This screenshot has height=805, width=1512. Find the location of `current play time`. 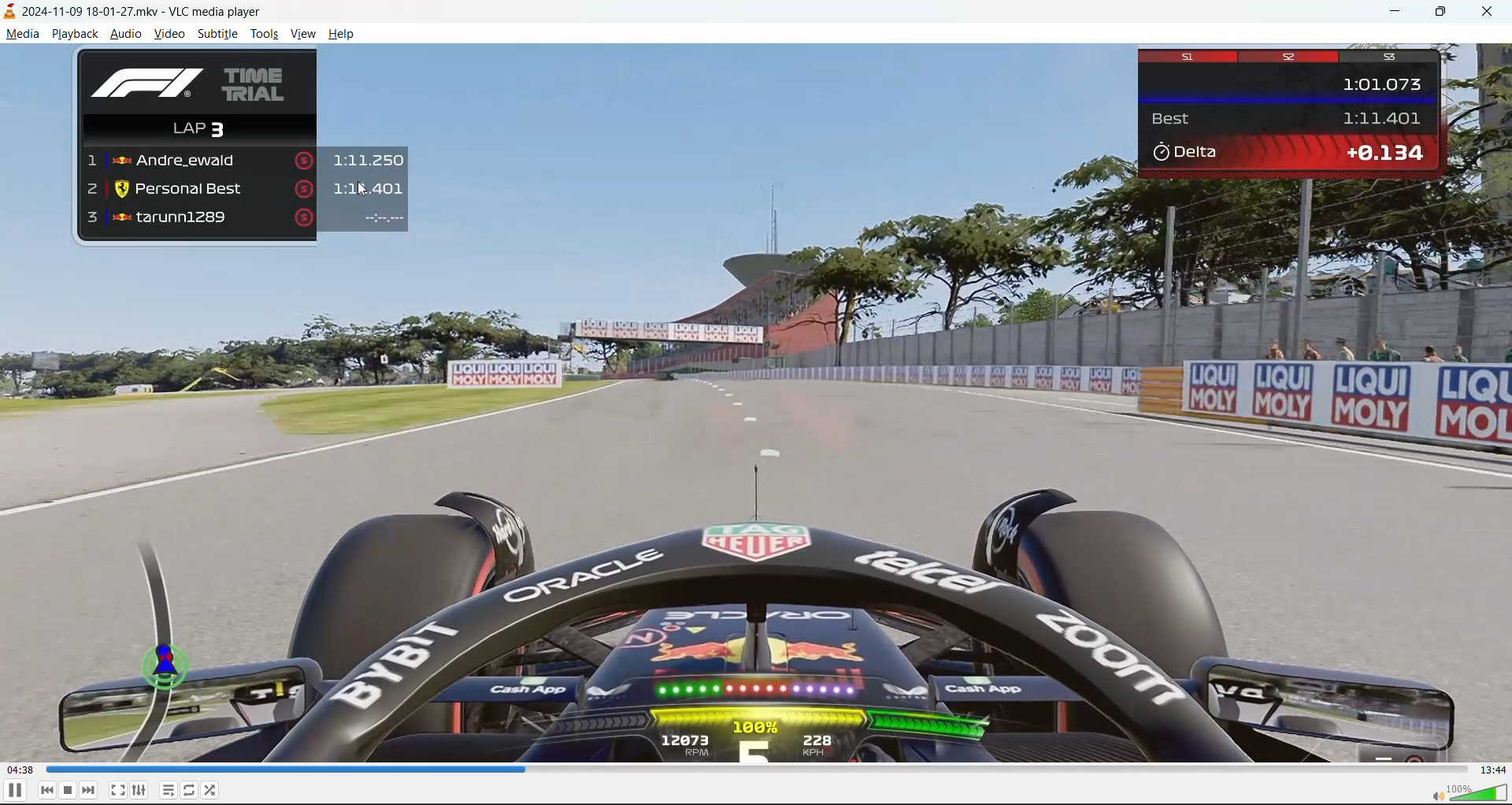

current play time is located at coordinates (21, 769).